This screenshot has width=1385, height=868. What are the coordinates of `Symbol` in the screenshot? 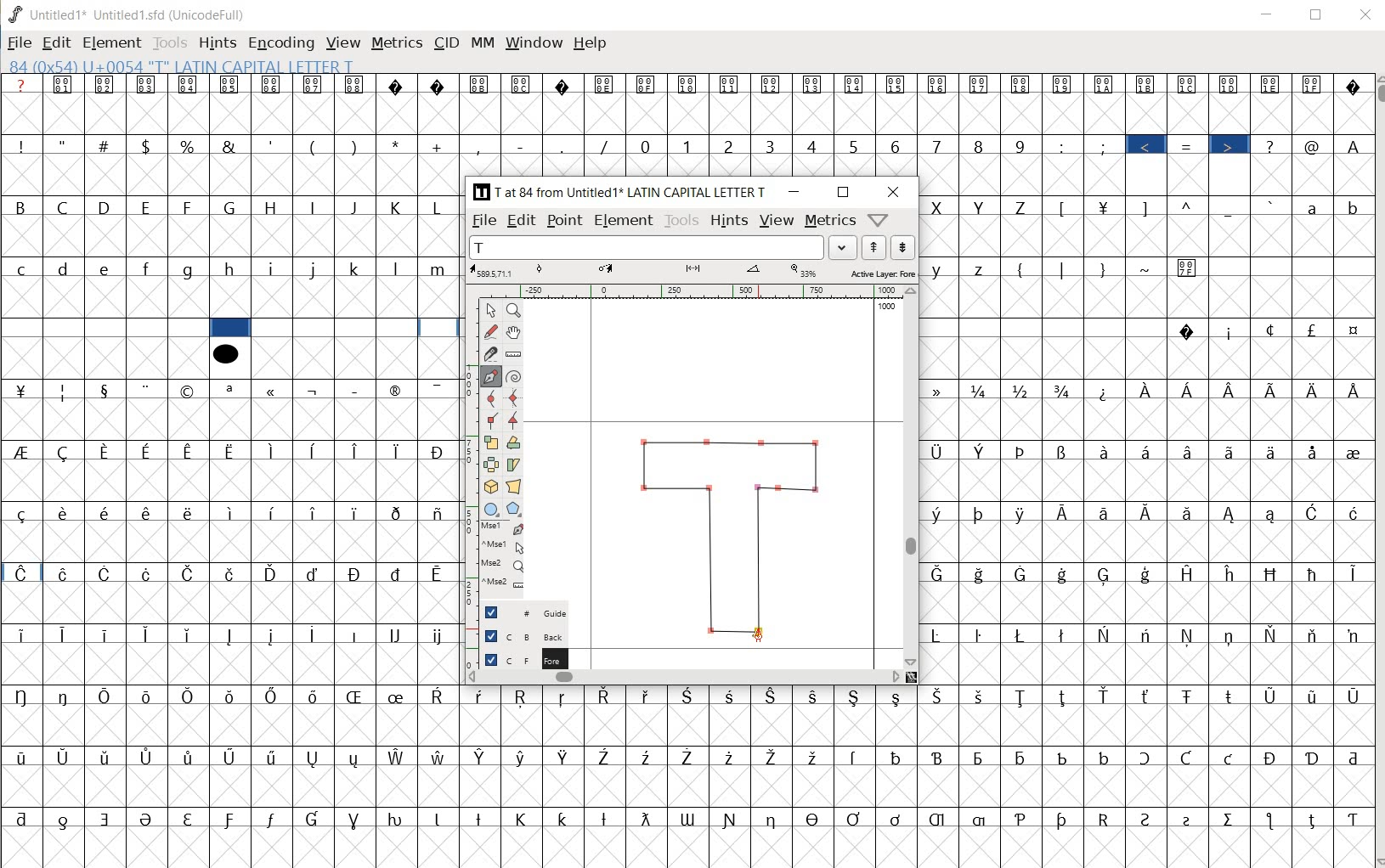 It's located at (1148, 818).